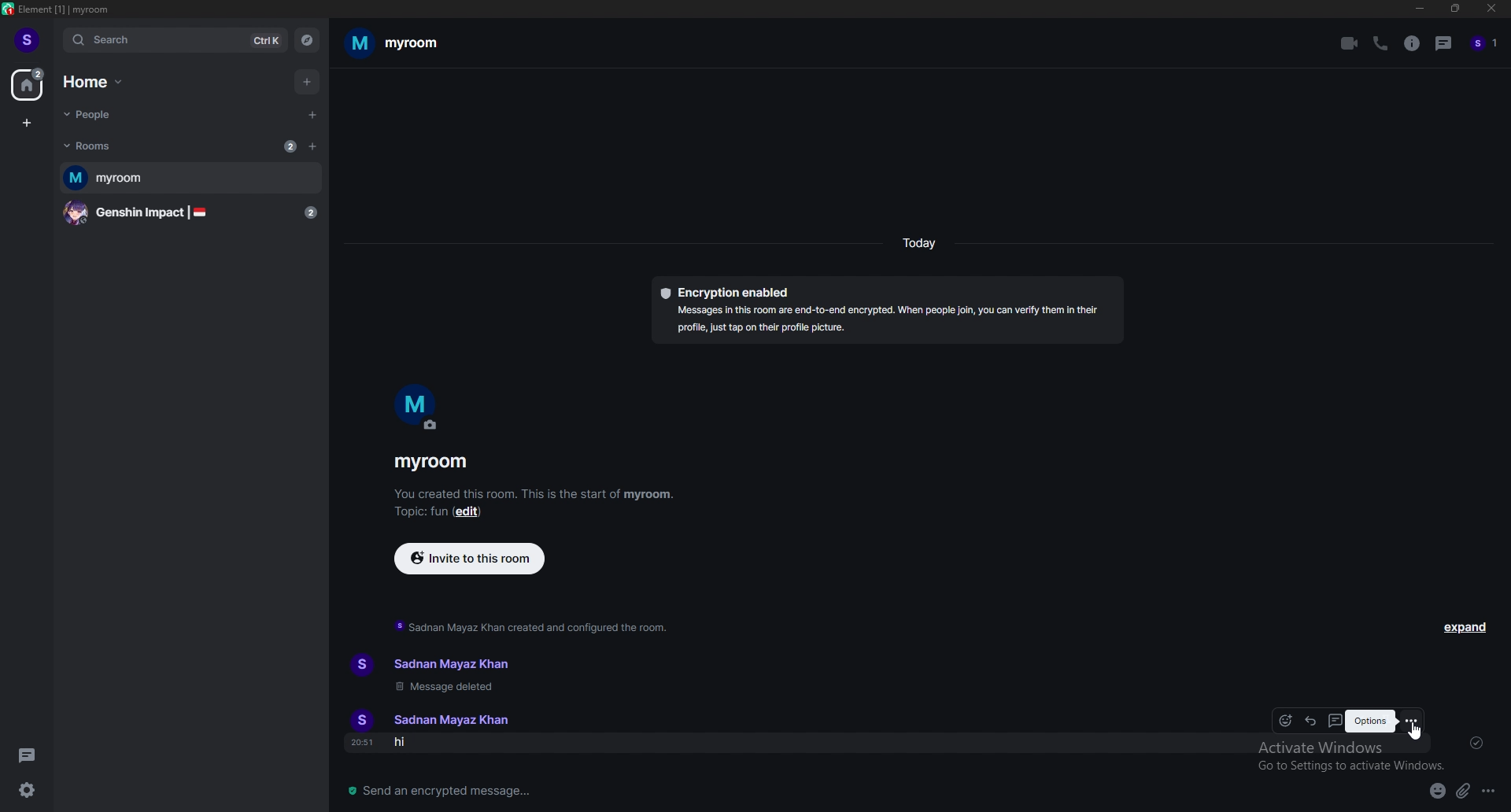 This screenshot has height=812, width=1511. Describe the element at coordinates (194, 213) in the screenshot. I see `genshin impact |` at that location.